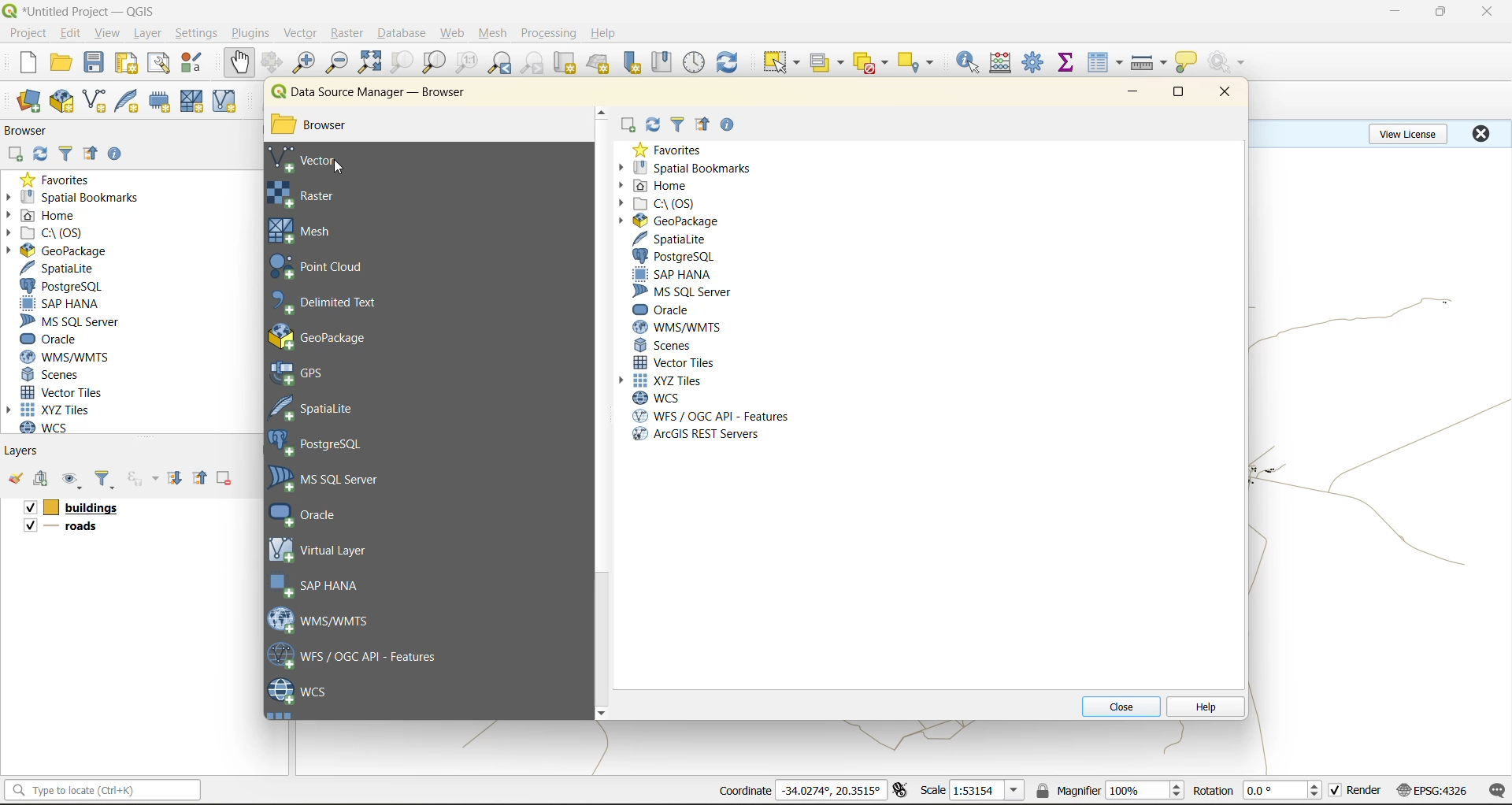 This screenshot has height=805, width=1512. I want to click on edit, so click(71, 35).